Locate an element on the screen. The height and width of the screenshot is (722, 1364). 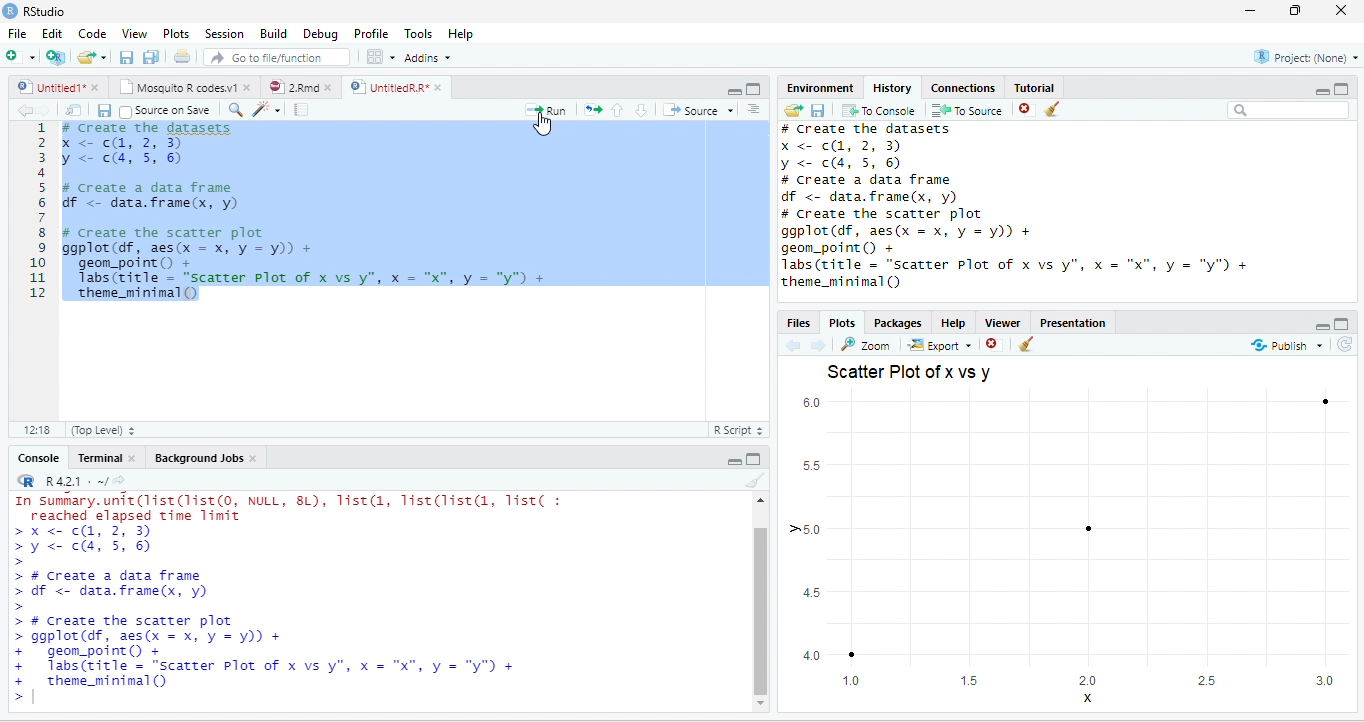
Show in new window is located at coordinates (75, 111).